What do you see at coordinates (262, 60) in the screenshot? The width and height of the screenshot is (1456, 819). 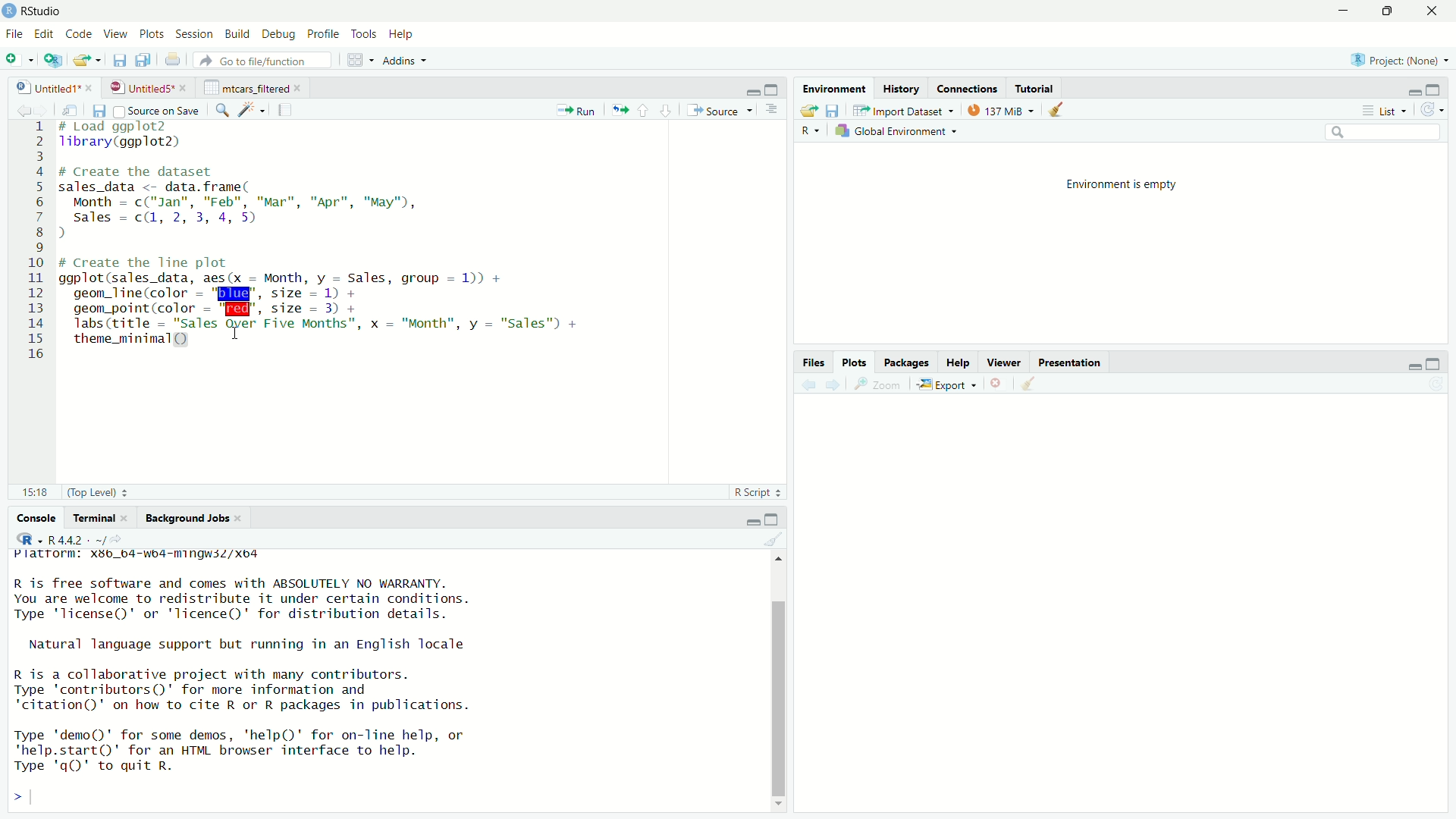 I see `Go to file/function` at bounding box center [262, 60].